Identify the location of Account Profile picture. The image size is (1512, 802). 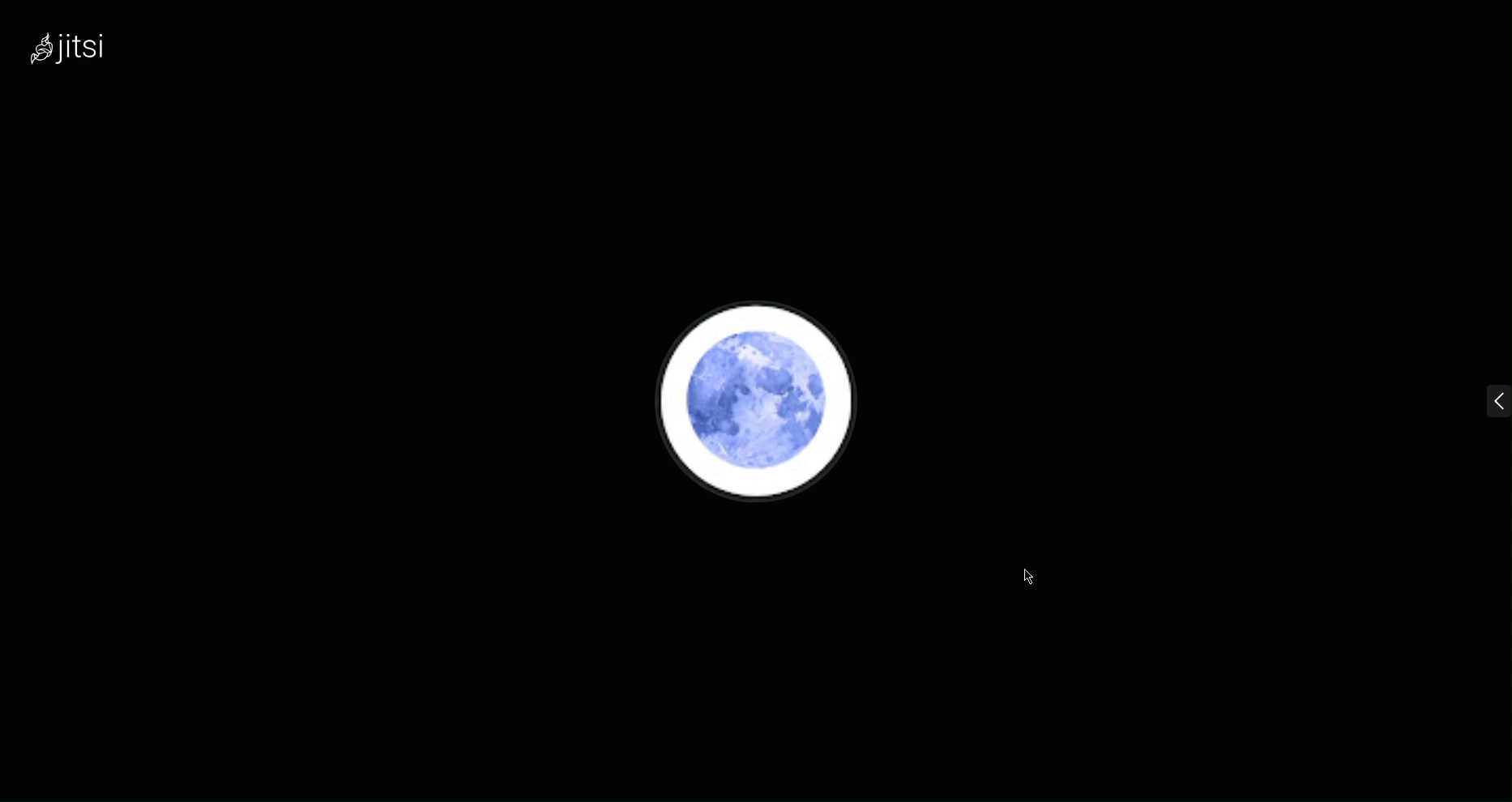
(744, 402).